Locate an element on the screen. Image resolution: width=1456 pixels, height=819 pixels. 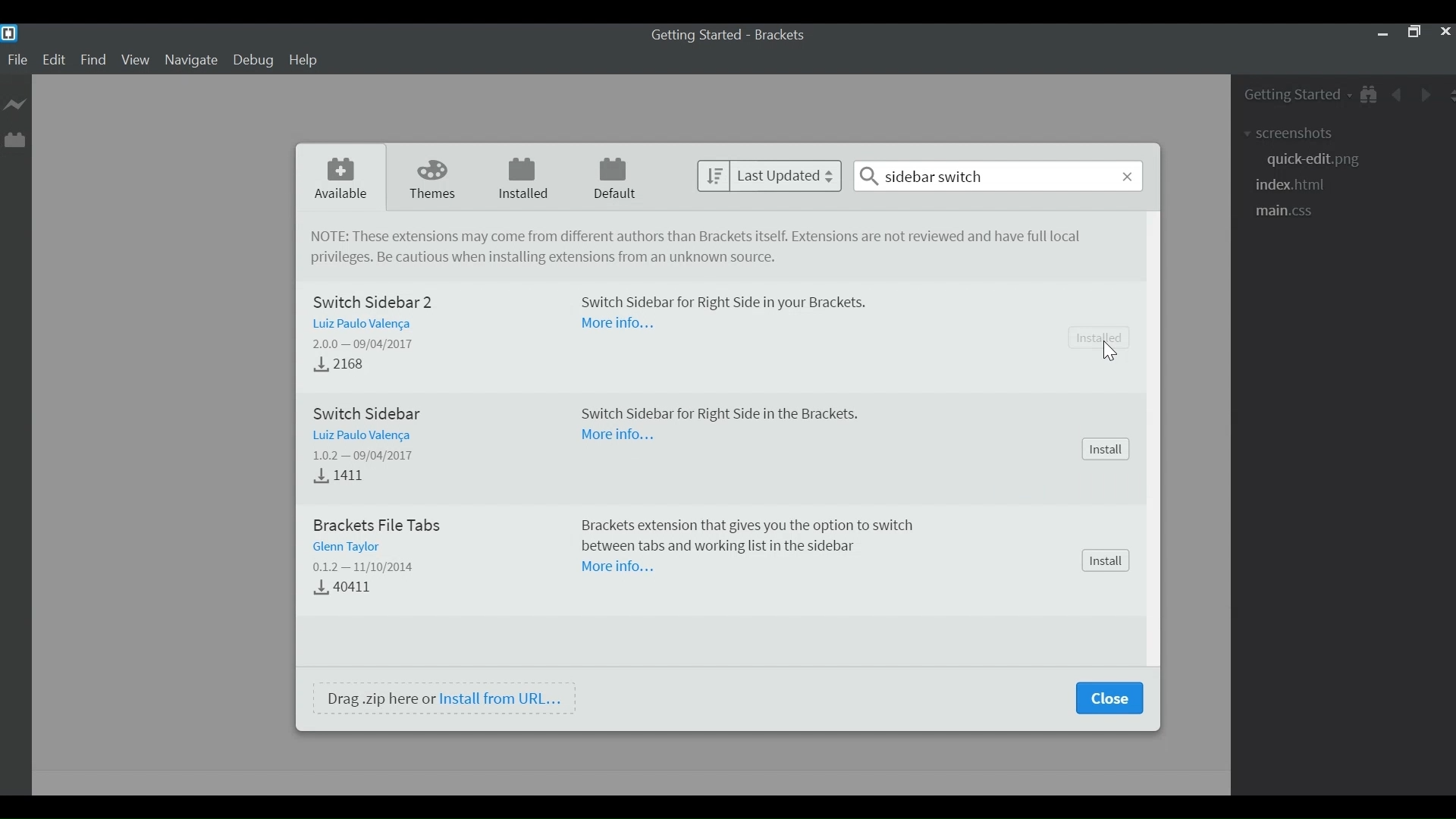
Luiz Paulo Valenca is located at coordinates (366, 438).